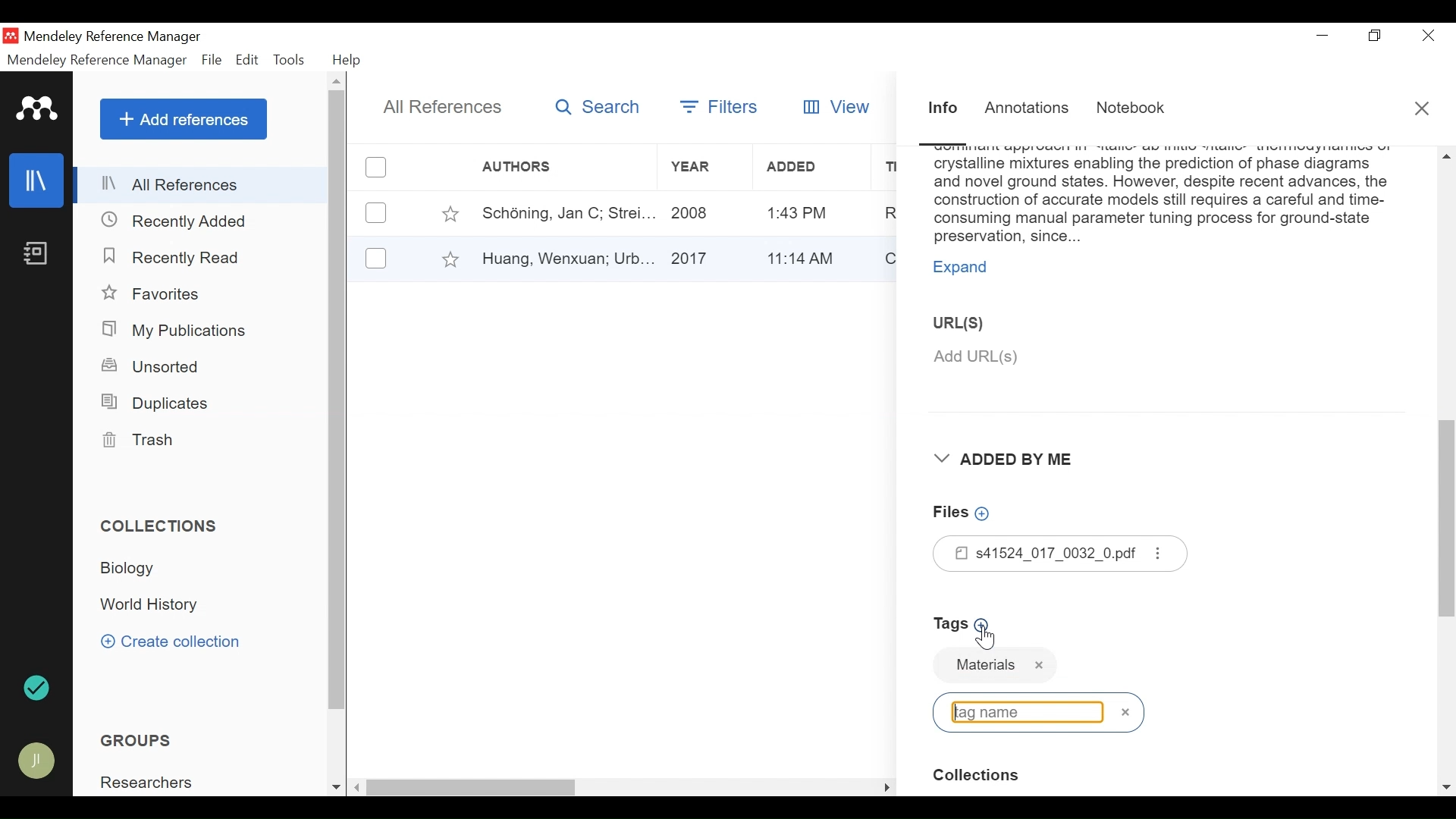 The width and height of the screenshot is (1456, 819). What do you see at coordinates (441, 108) in the screenshot?
I see `All References` at bounding box center [441, 108].